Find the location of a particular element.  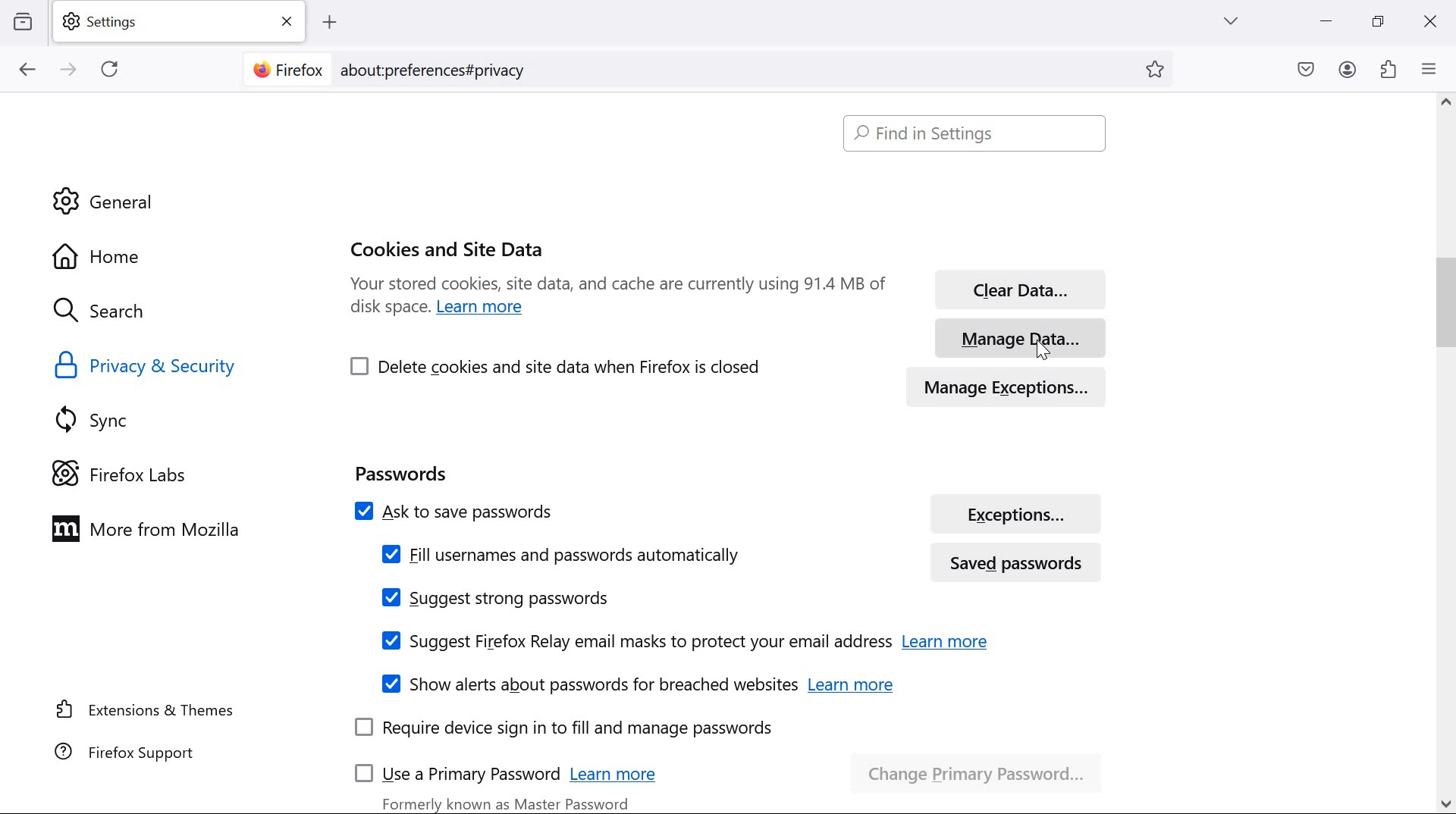

Your stored cookies, site data, and cache are currently using 91.4 MB of
disk space. Learn more is located at coordinates (618, 301).